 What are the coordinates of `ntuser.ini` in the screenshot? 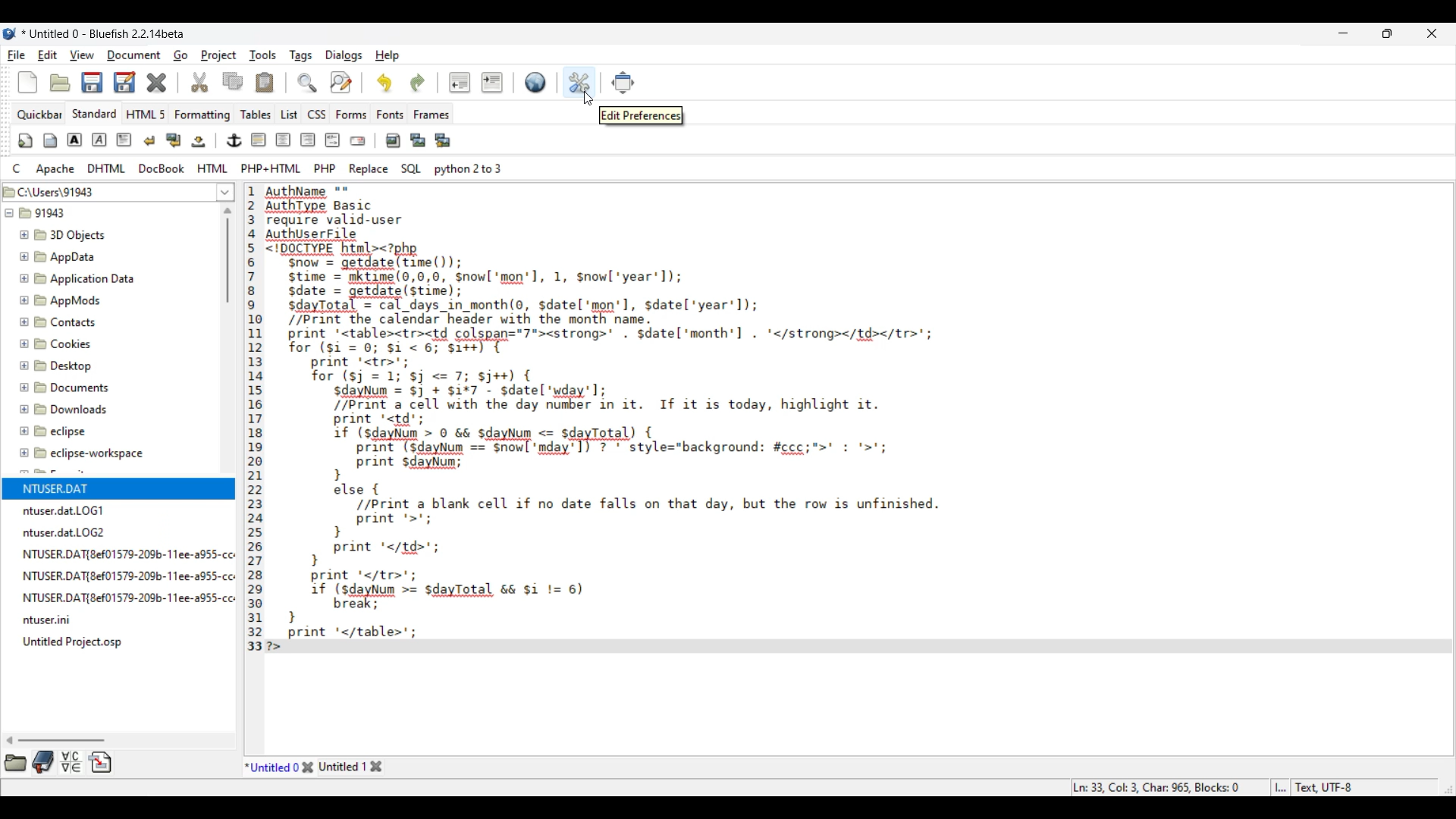 It's located at (49, 620).